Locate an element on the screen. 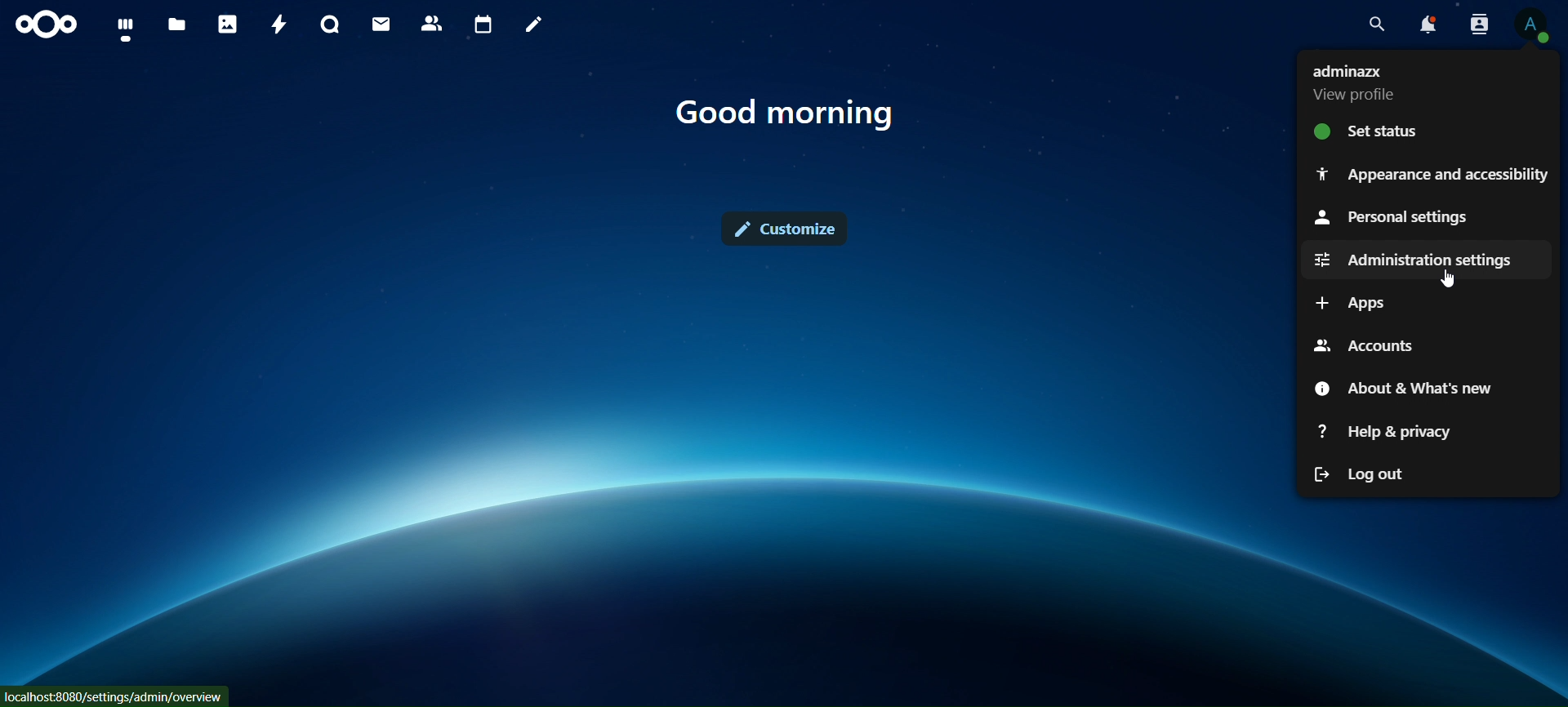  apps is located at coordinates (1351, 305).